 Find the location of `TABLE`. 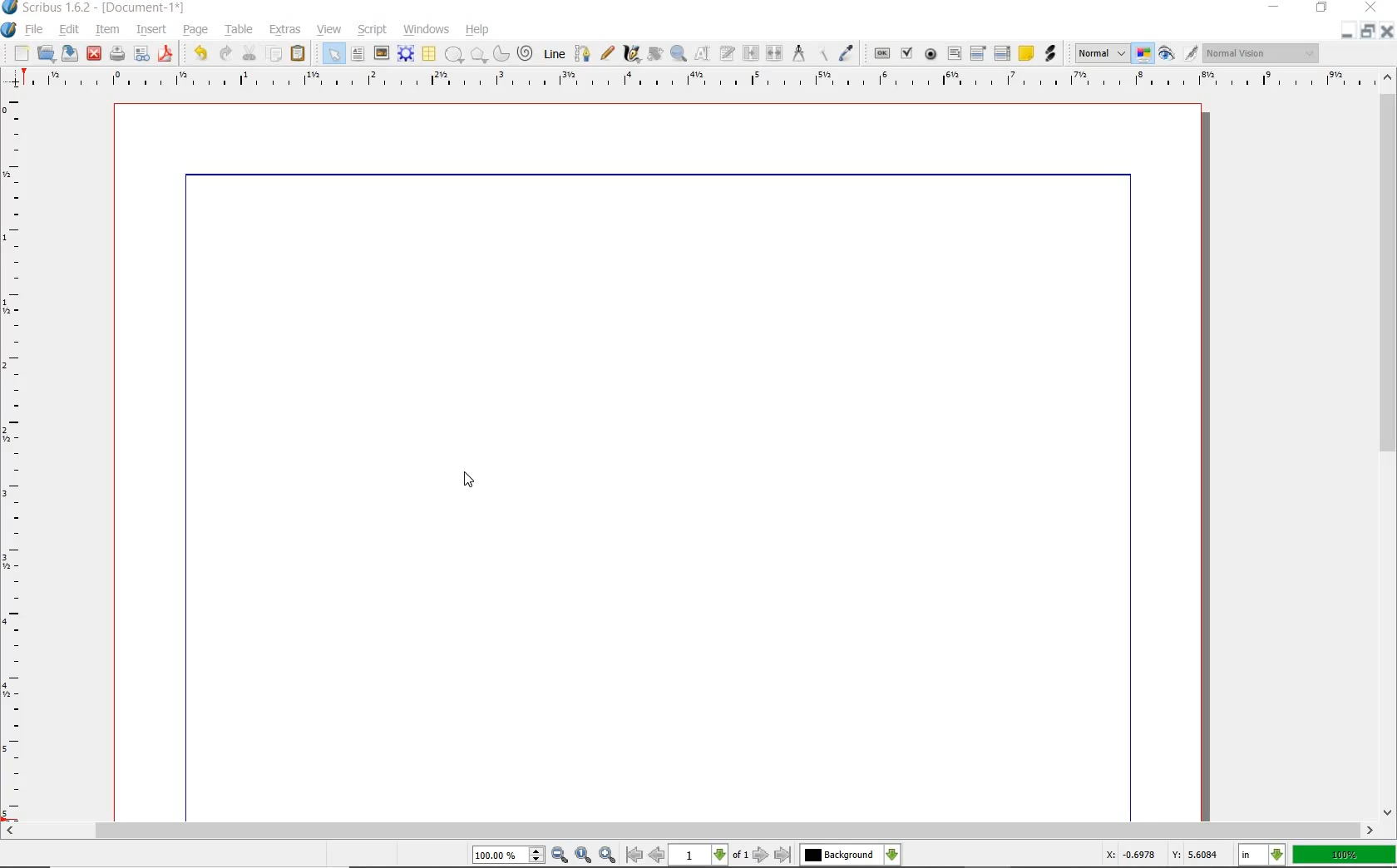

TABLE is located at coordinates (239, 30).